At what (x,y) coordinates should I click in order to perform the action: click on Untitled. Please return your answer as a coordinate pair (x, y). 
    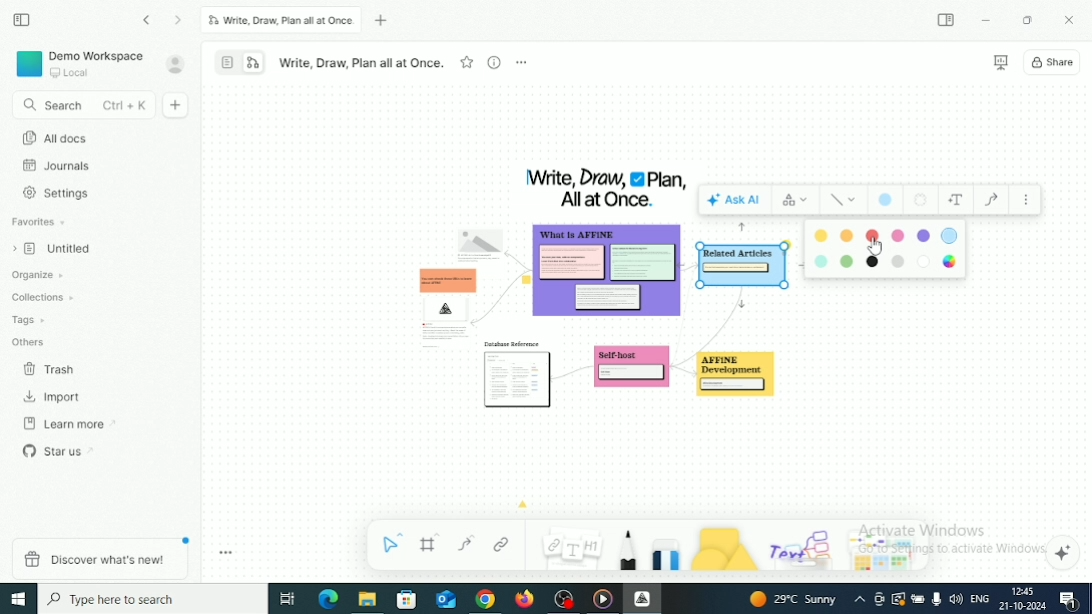
    Looking at the image, I should click on (57, 250).